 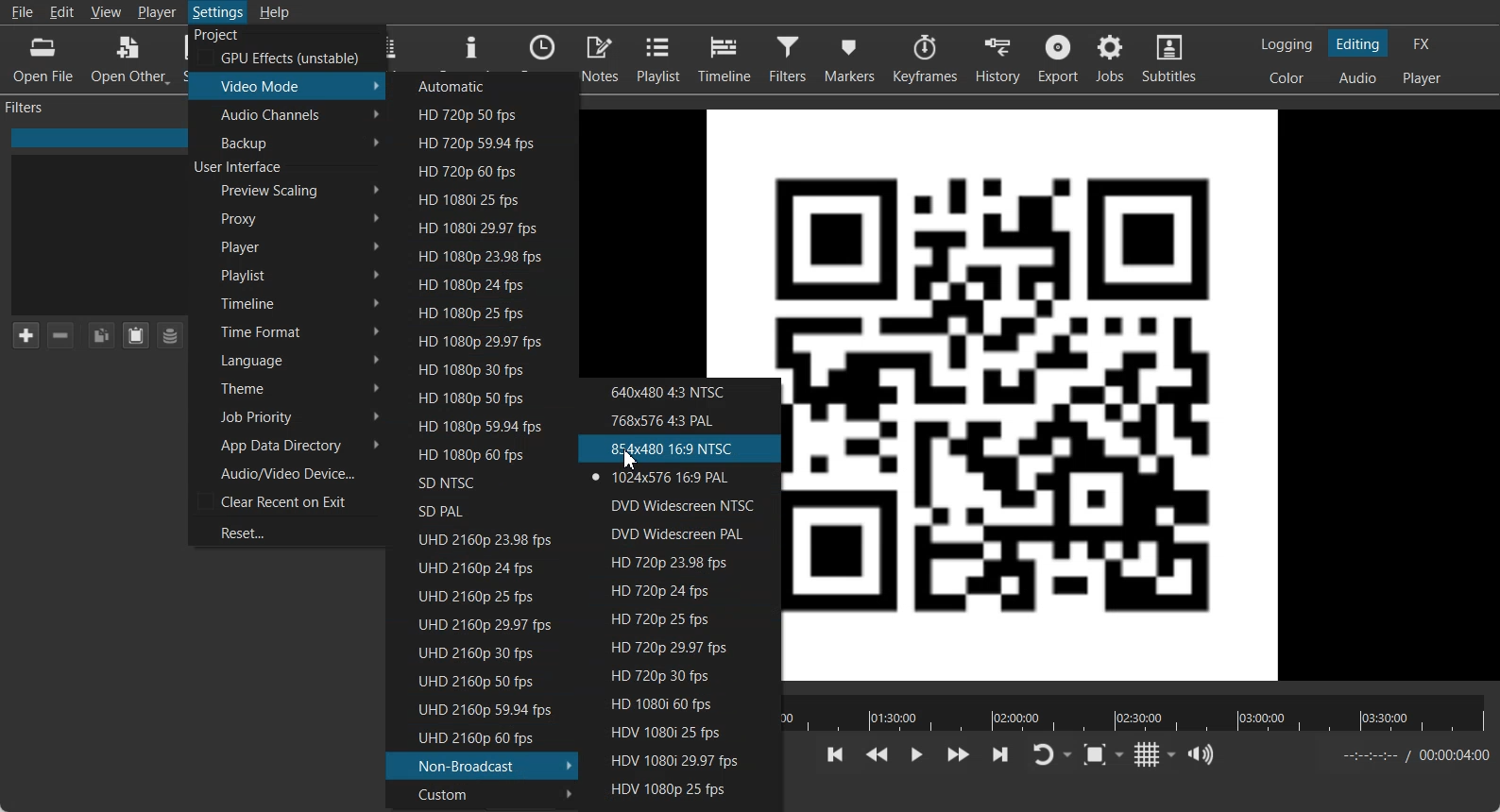 I want to click on Text, so click(x=240, y=168).